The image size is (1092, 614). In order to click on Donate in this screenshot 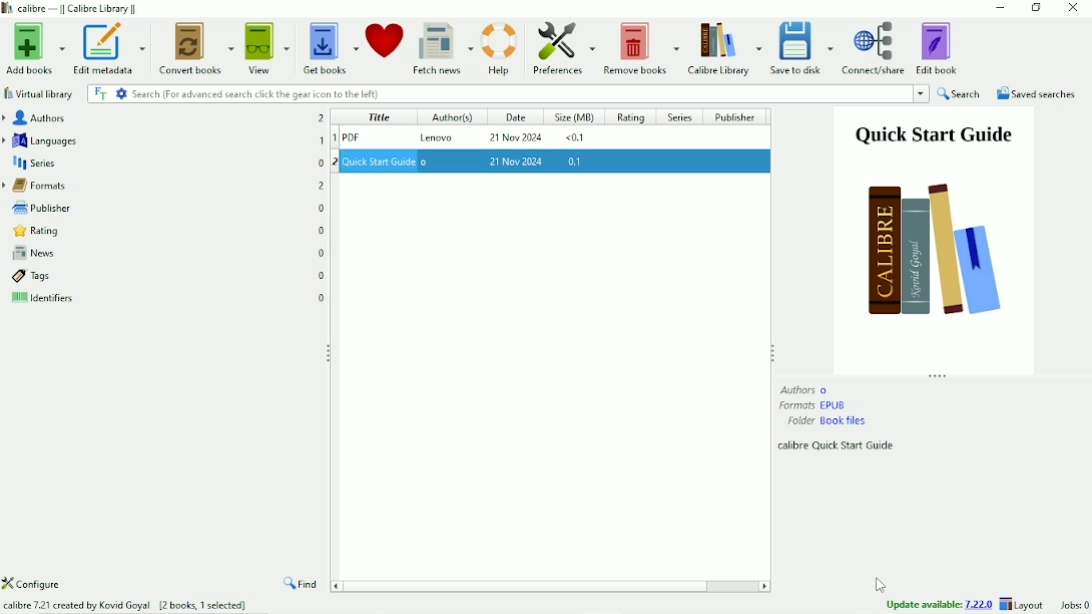, I will do `click(384, 40)`.